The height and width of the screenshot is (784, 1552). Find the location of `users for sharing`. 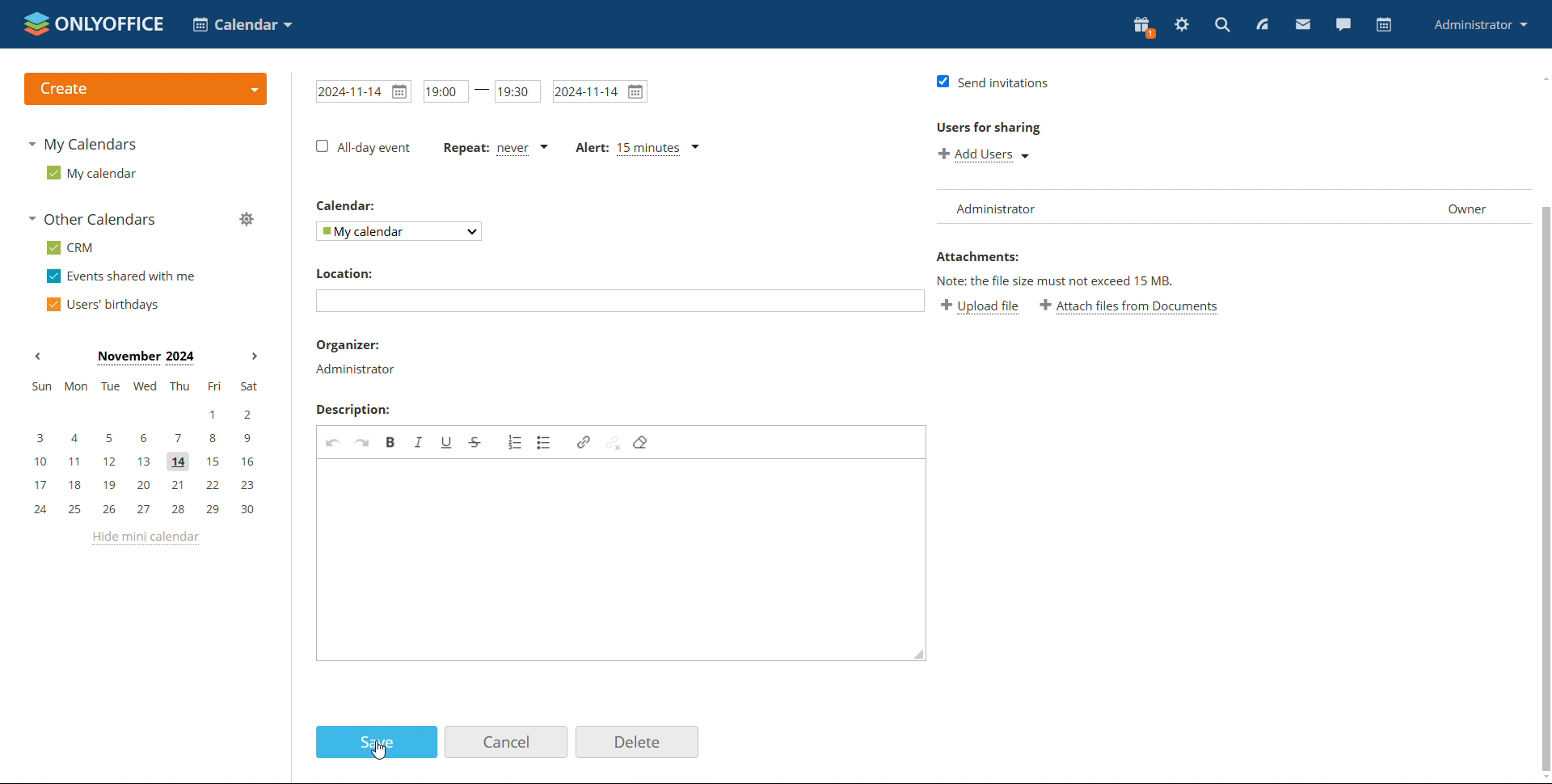

users for sharing is located at coordinates (997, 129).